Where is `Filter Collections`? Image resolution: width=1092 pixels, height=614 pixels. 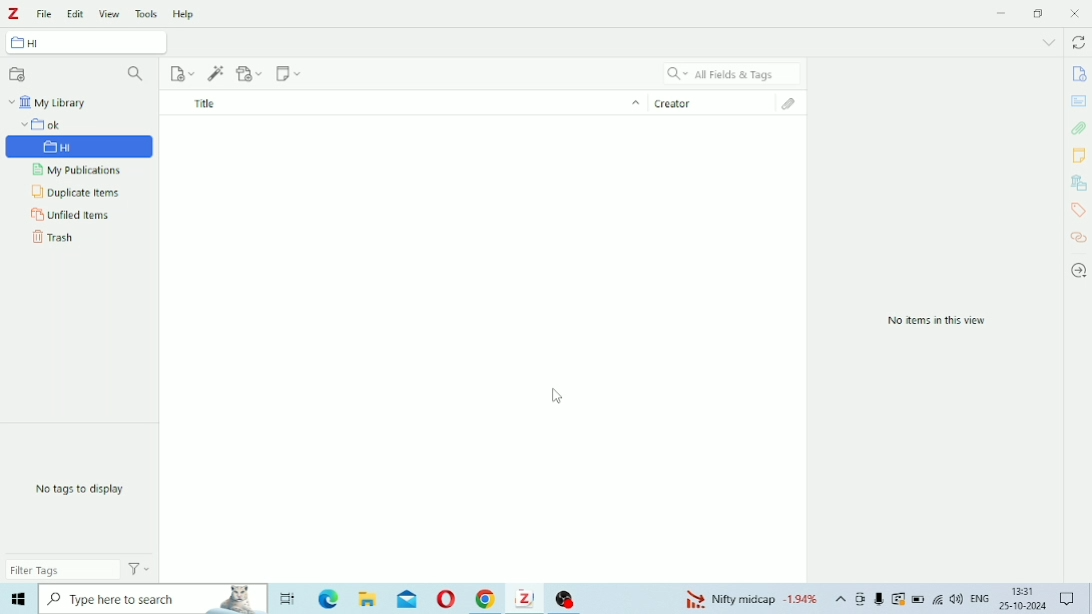
Filter Collections is located at coordinates (138, 75).